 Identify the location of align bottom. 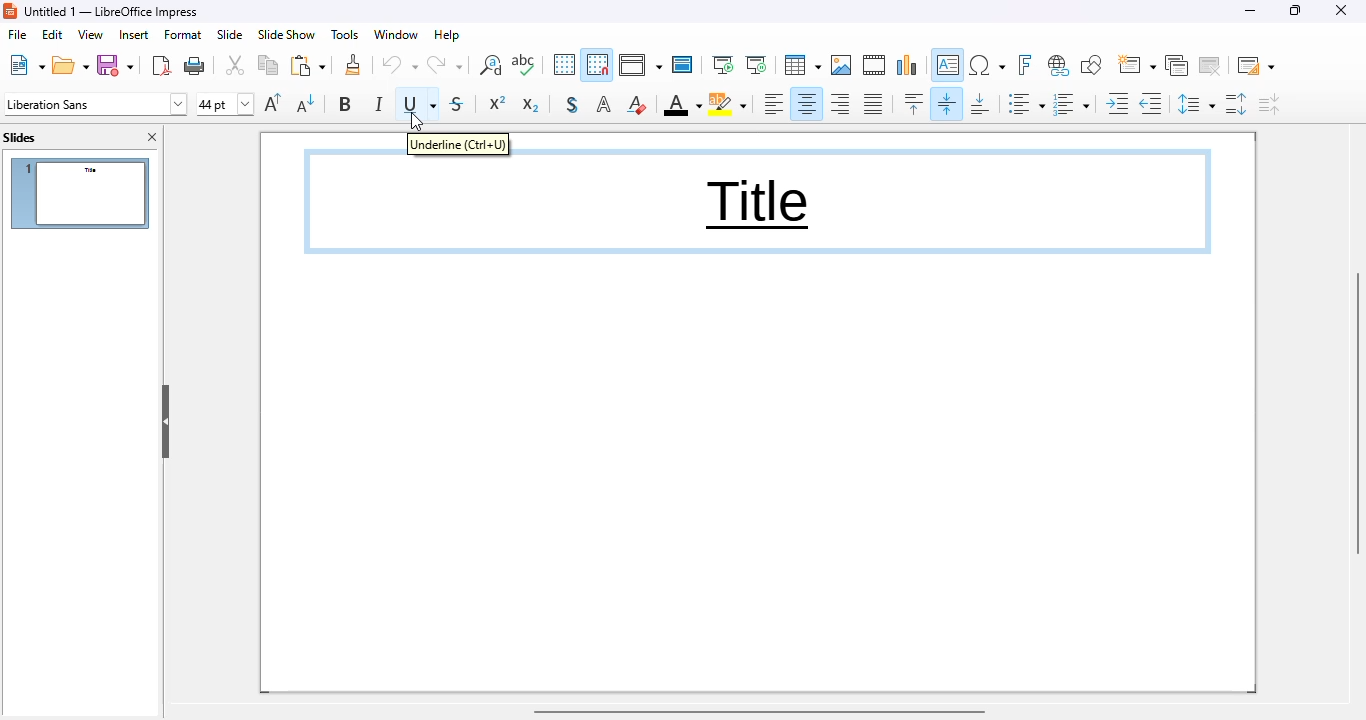
(980, 105).